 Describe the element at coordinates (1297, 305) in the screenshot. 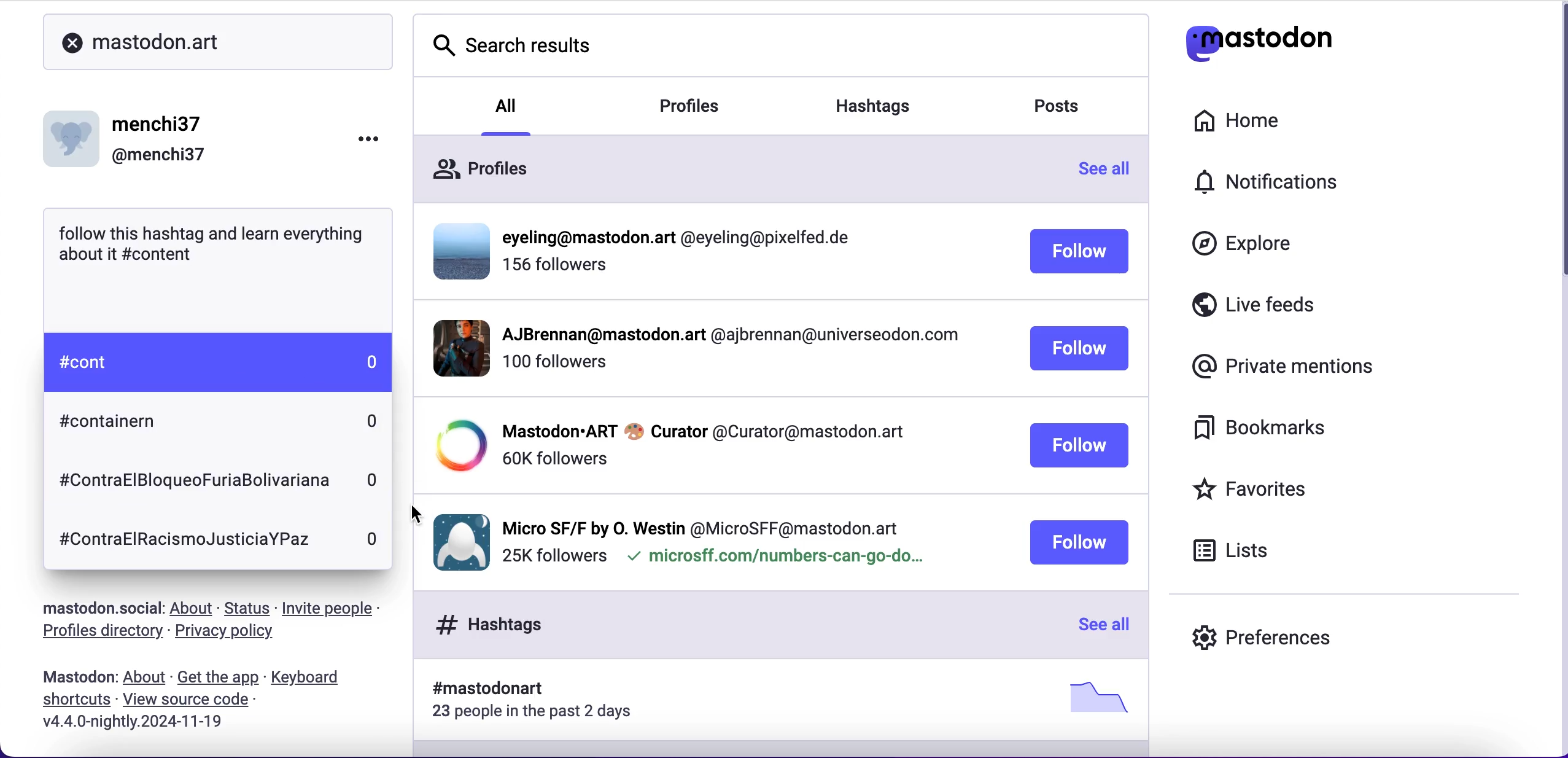

I see `live feeds` at that location.